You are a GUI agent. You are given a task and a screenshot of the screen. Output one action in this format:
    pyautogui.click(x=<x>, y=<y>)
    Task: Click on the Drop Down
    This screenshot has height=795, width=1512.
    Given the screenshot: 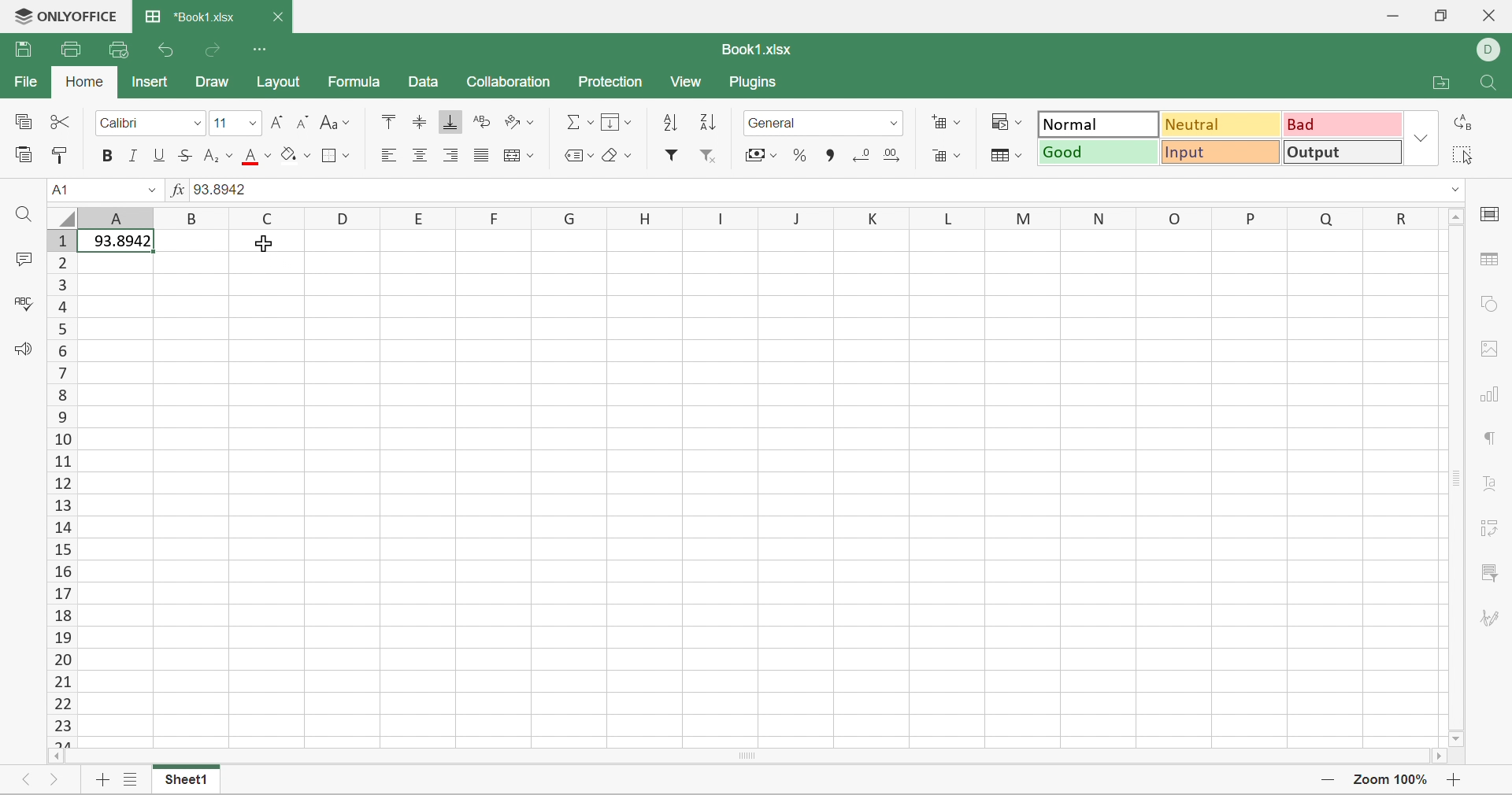 What is the action you would take?
    pyautogui.click(x=893, y=121)
    